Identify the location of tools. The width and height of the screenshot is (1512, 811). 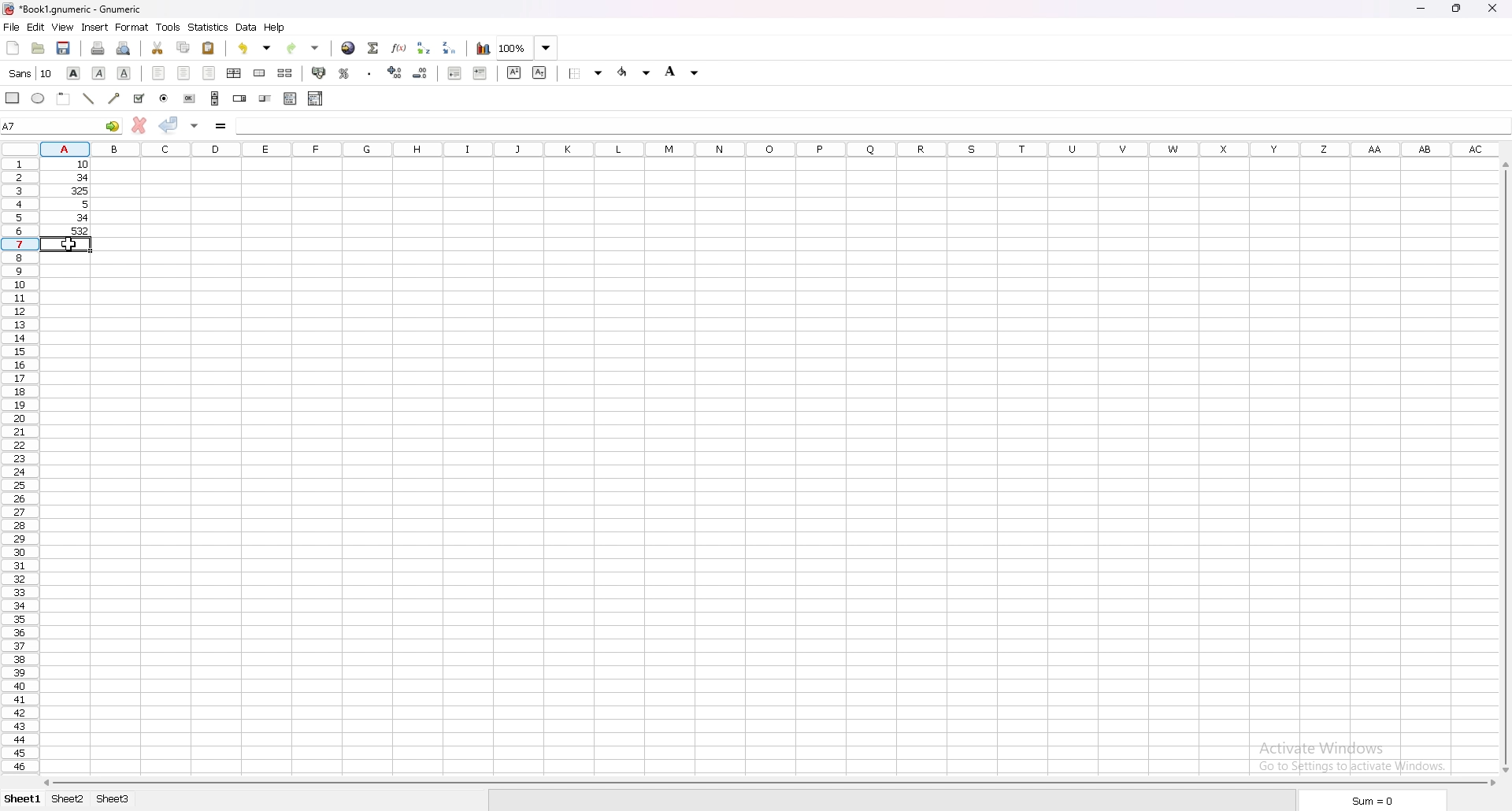
(169, 28).